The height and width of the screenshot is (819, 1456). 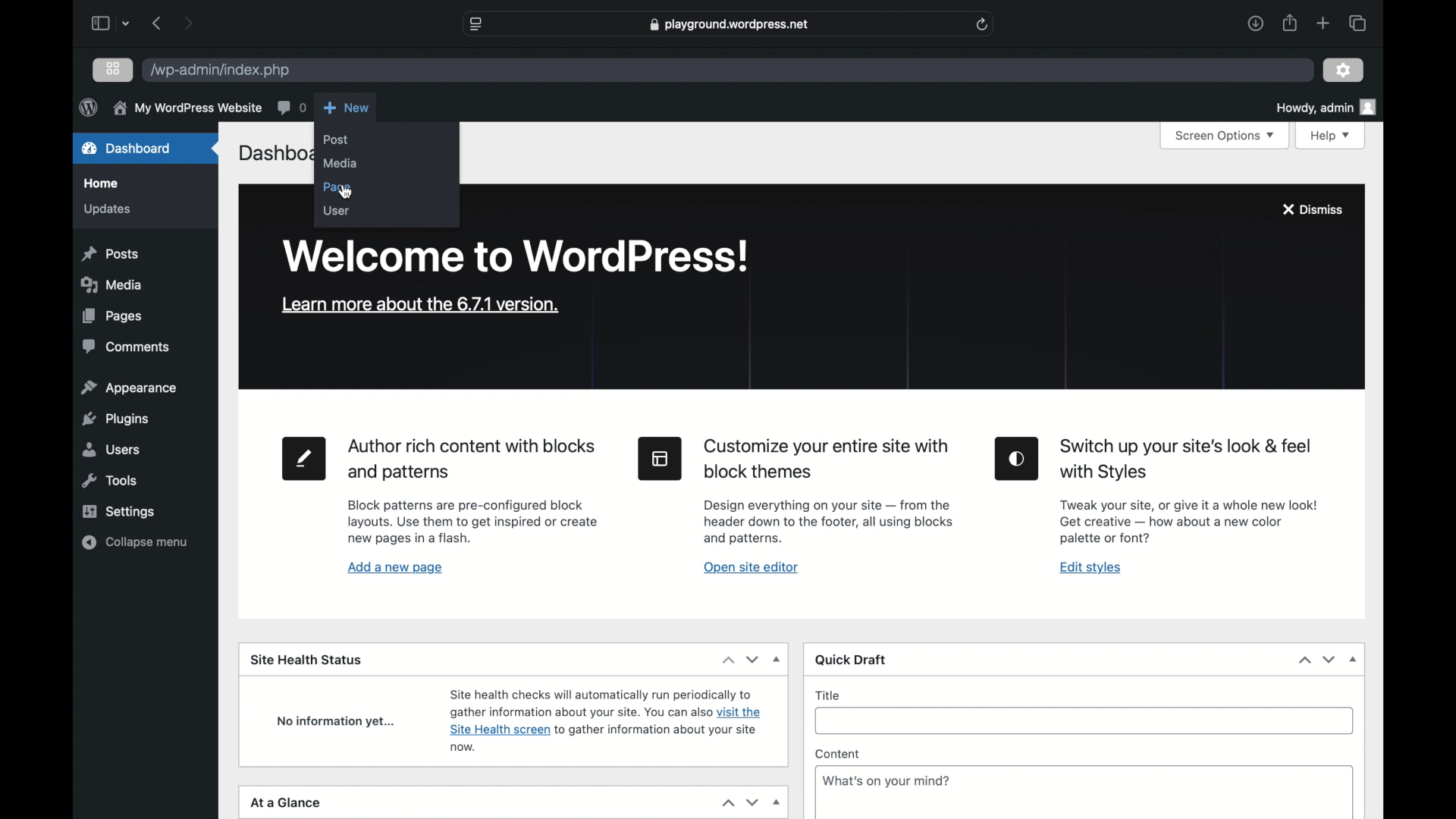 I want to click on next page, so click(x=190, y=22).